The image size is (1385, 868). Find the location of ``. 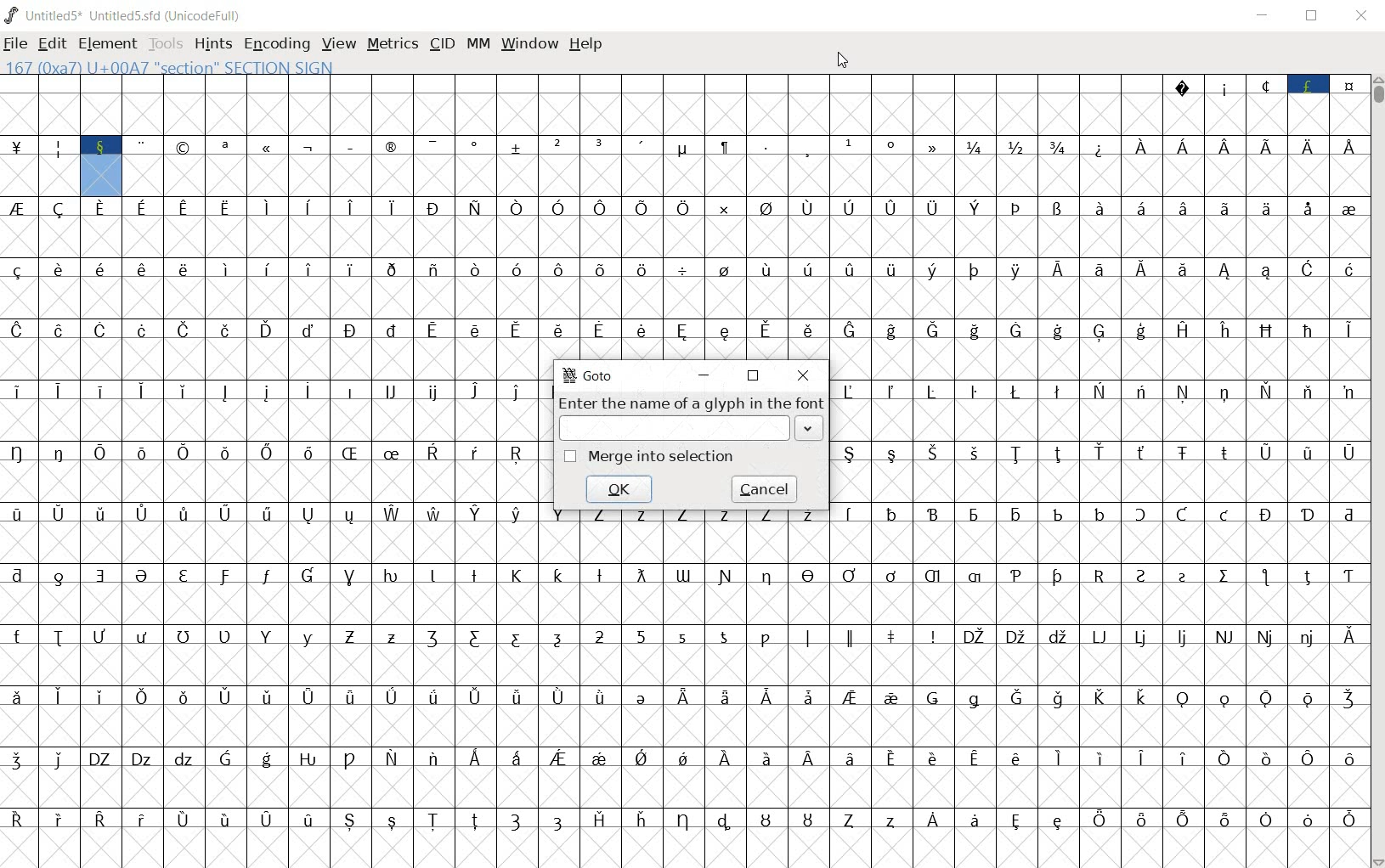

 is located at coordinates (63, 777).